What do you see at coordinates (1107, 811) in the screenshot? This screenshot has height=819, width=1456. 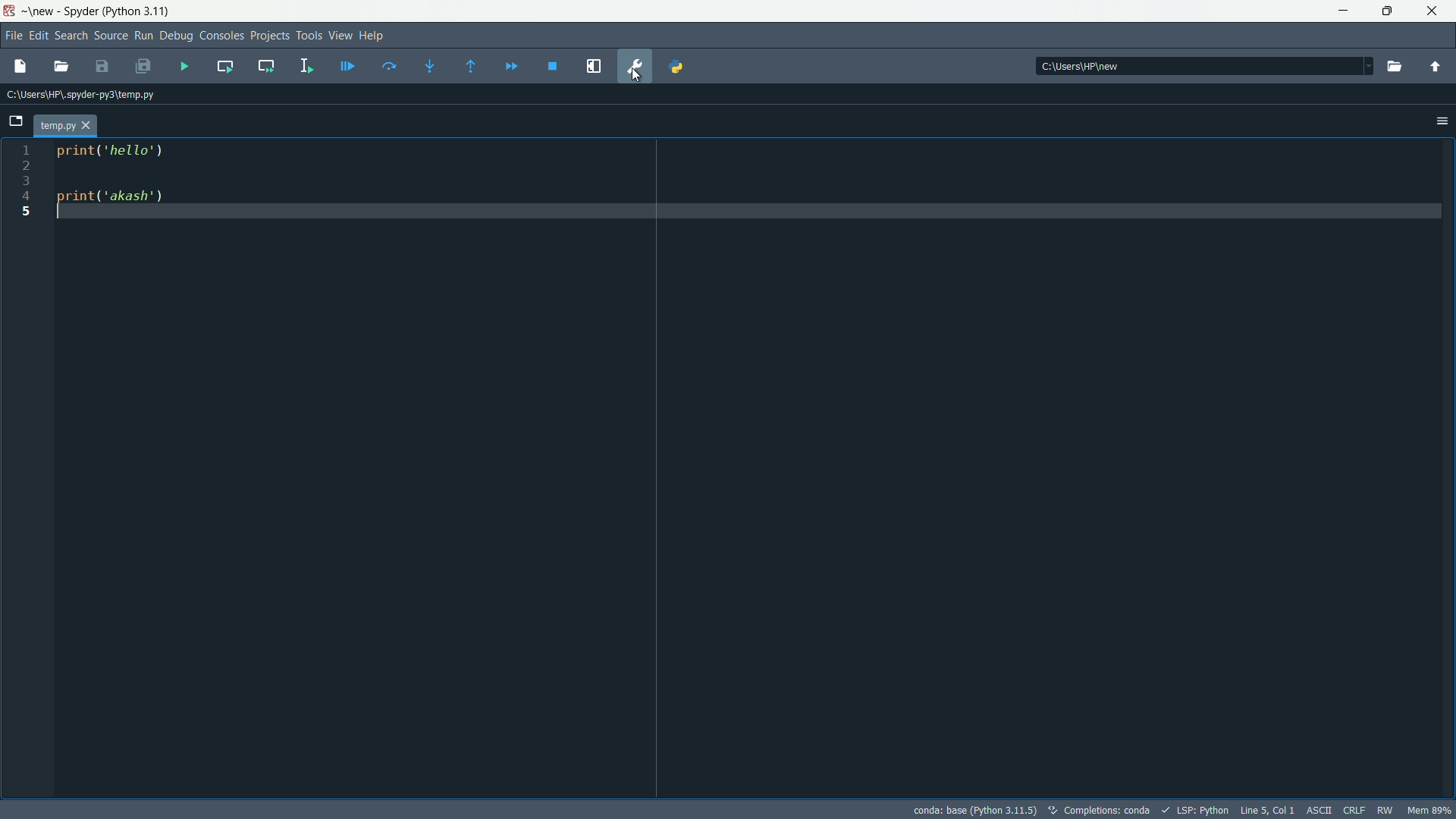 I see `text` at bounding box center [1107, 811].